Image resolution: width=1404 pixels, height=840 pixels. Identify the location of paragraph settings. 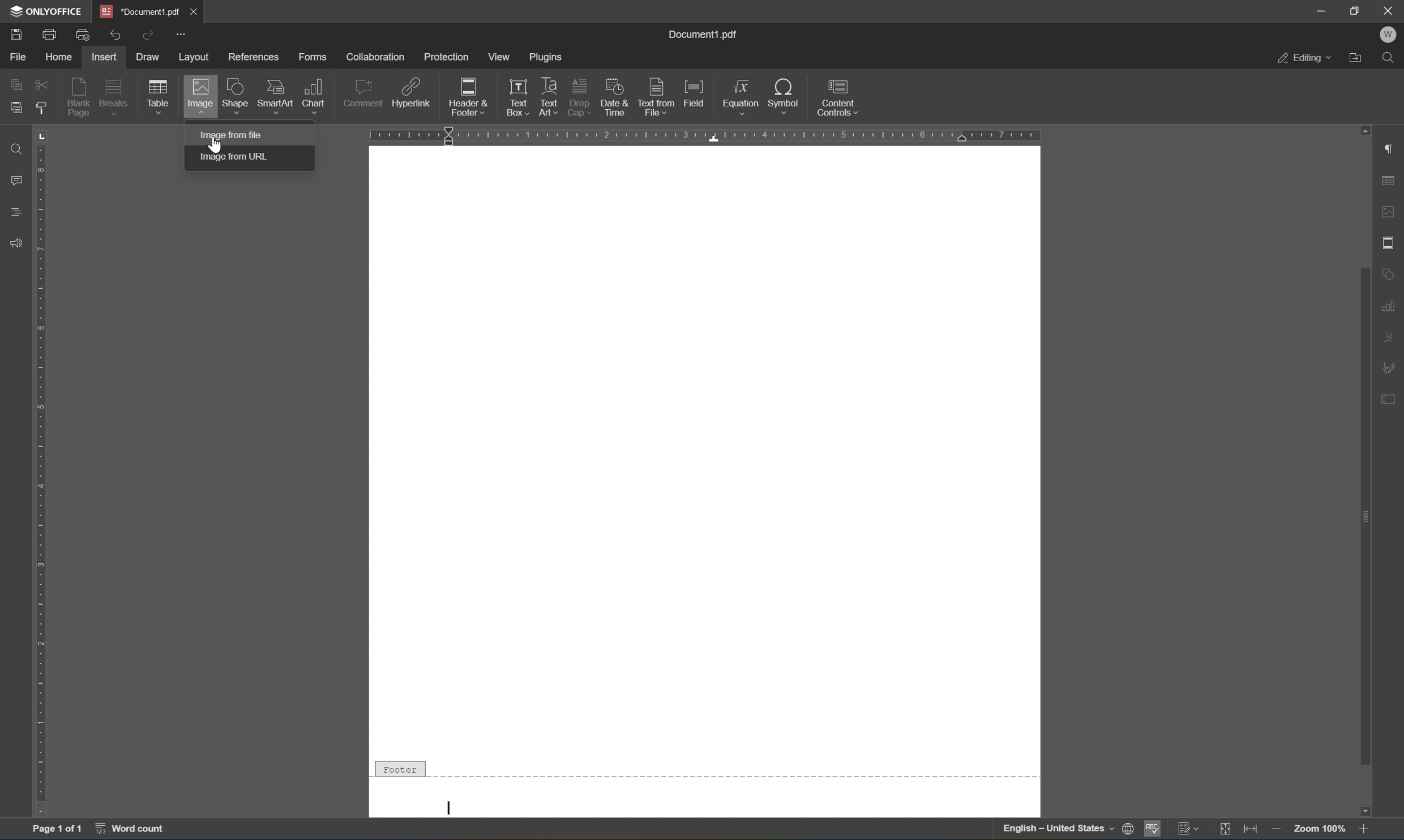
(1392, 149).